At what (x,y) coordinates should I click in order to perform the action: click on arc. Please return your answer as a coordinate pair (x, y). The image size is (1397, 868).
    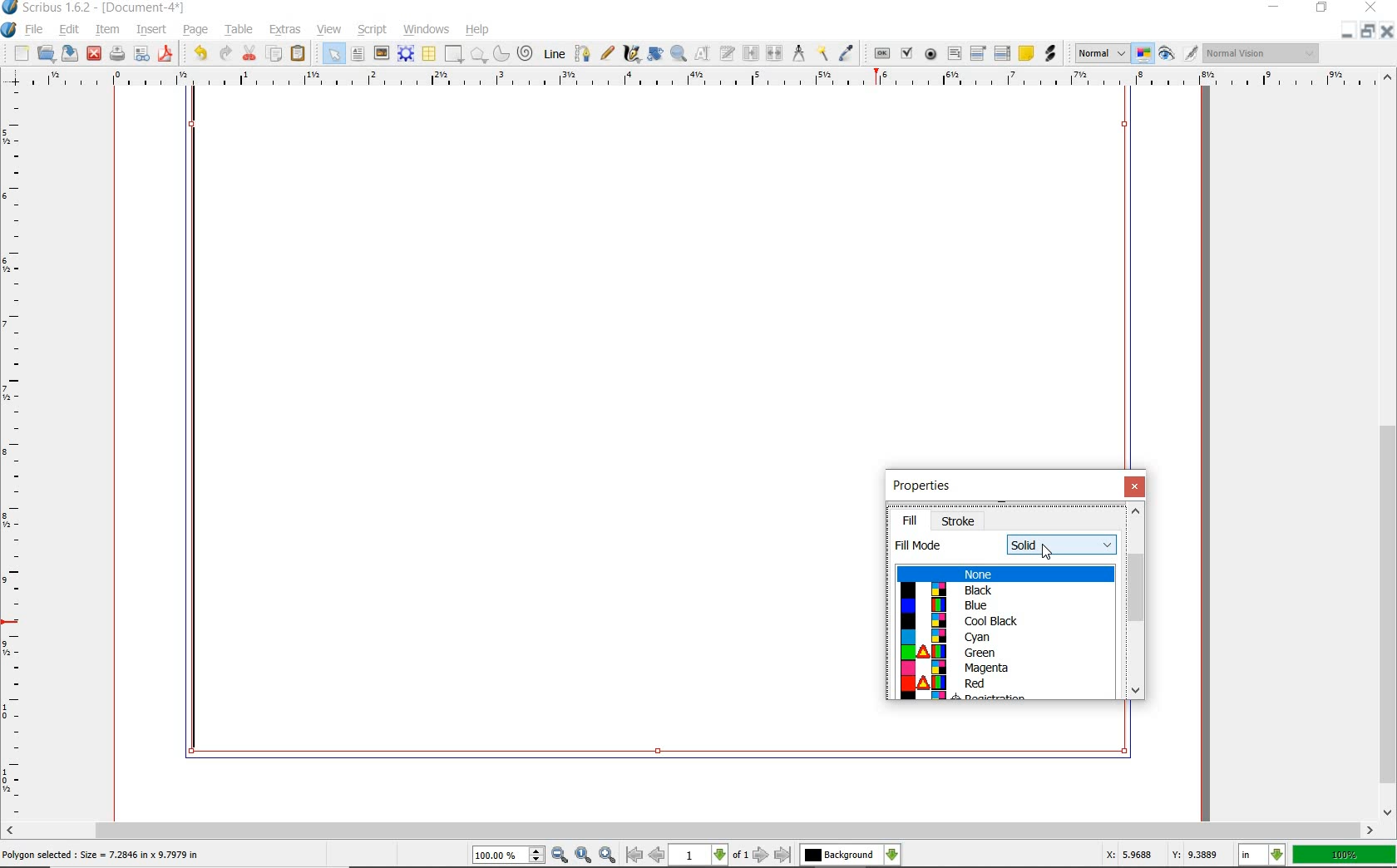
    Looking at the image, I should click on (501, 52).